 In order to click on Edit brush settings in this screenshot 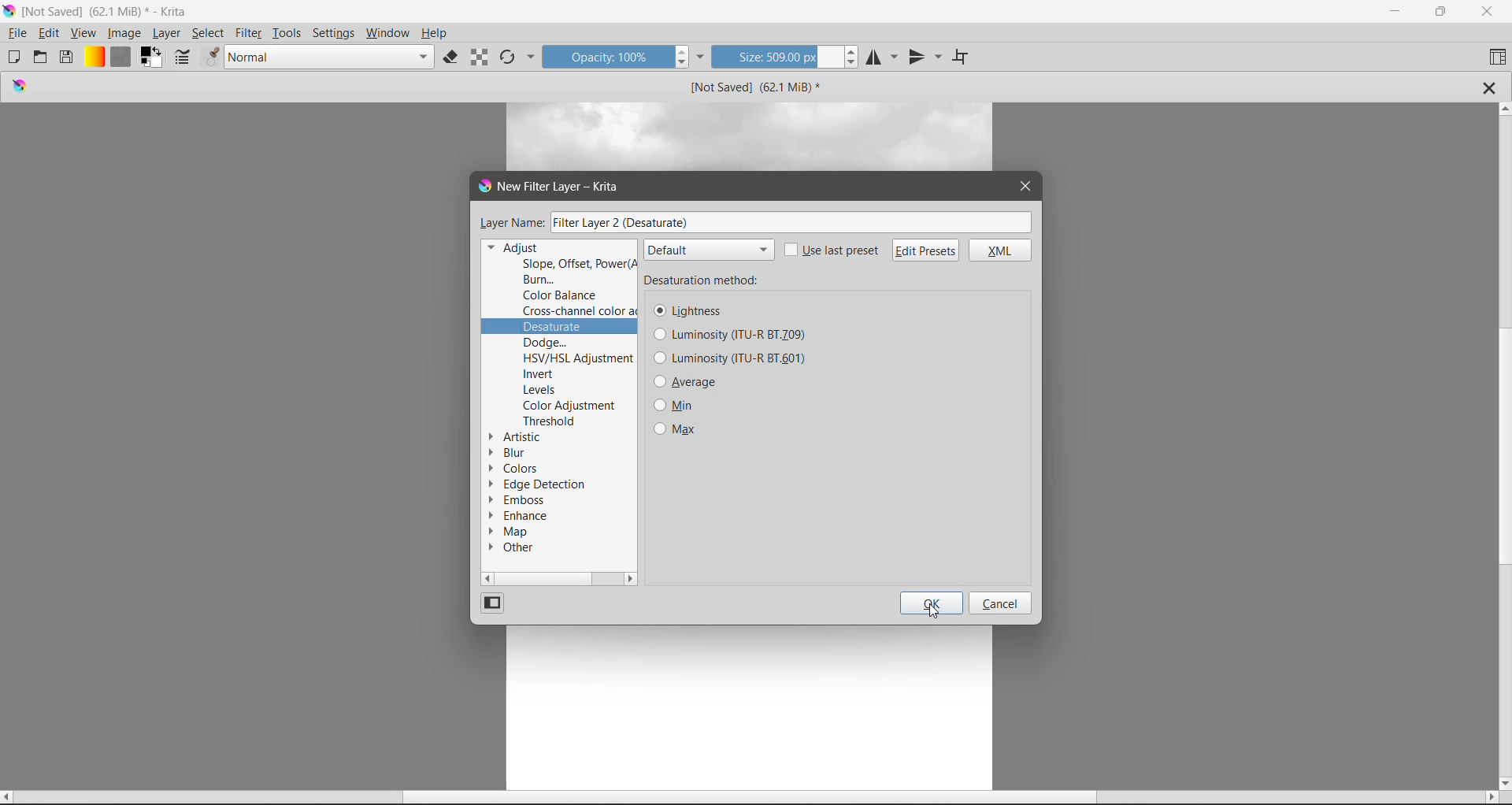, I will do `click(183, 58)`.